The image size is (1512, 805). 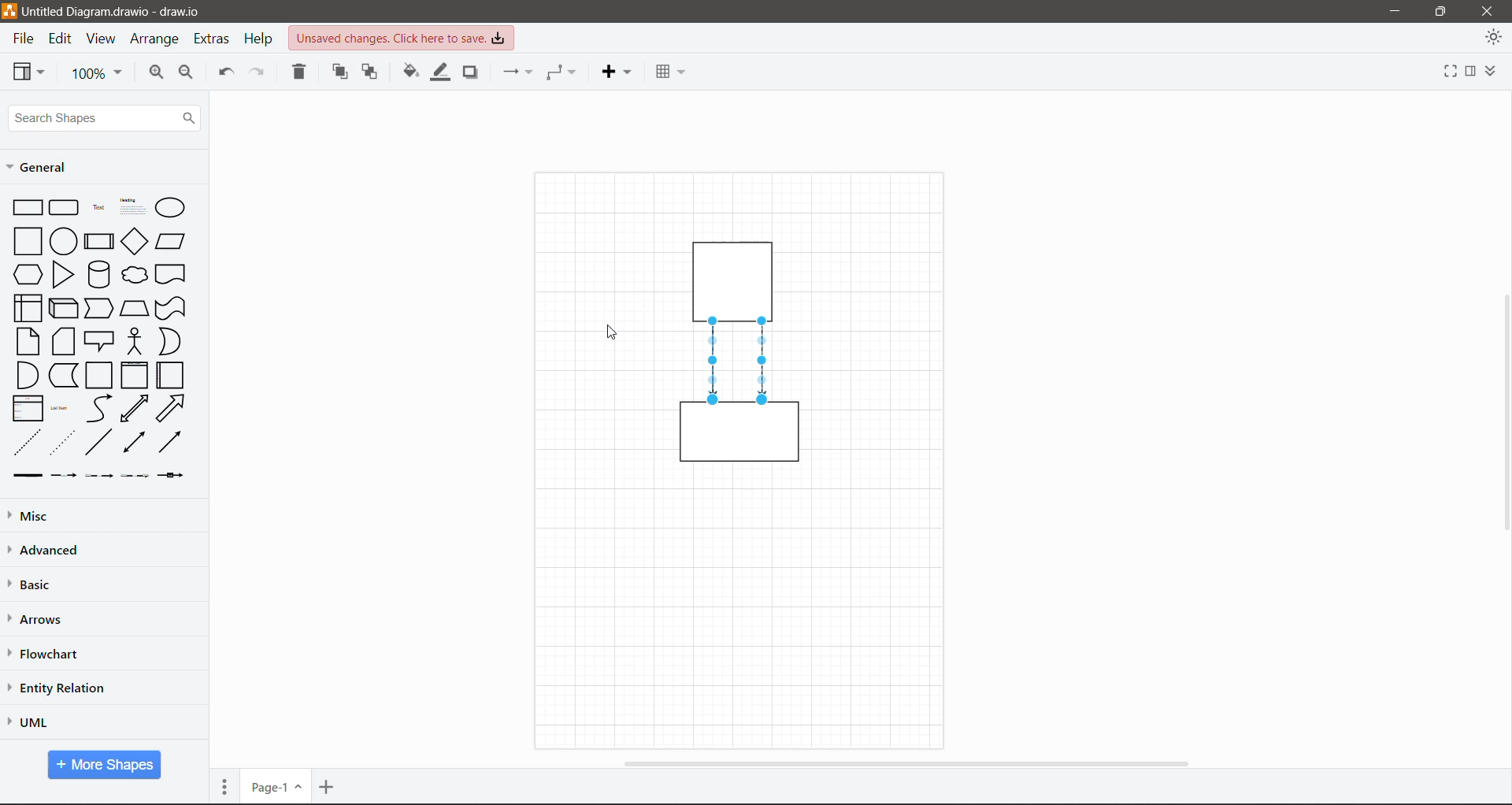 What do you see at coordinates (172, 274) in the screenshot?
I see `Document` at bounding box center [172, 274].